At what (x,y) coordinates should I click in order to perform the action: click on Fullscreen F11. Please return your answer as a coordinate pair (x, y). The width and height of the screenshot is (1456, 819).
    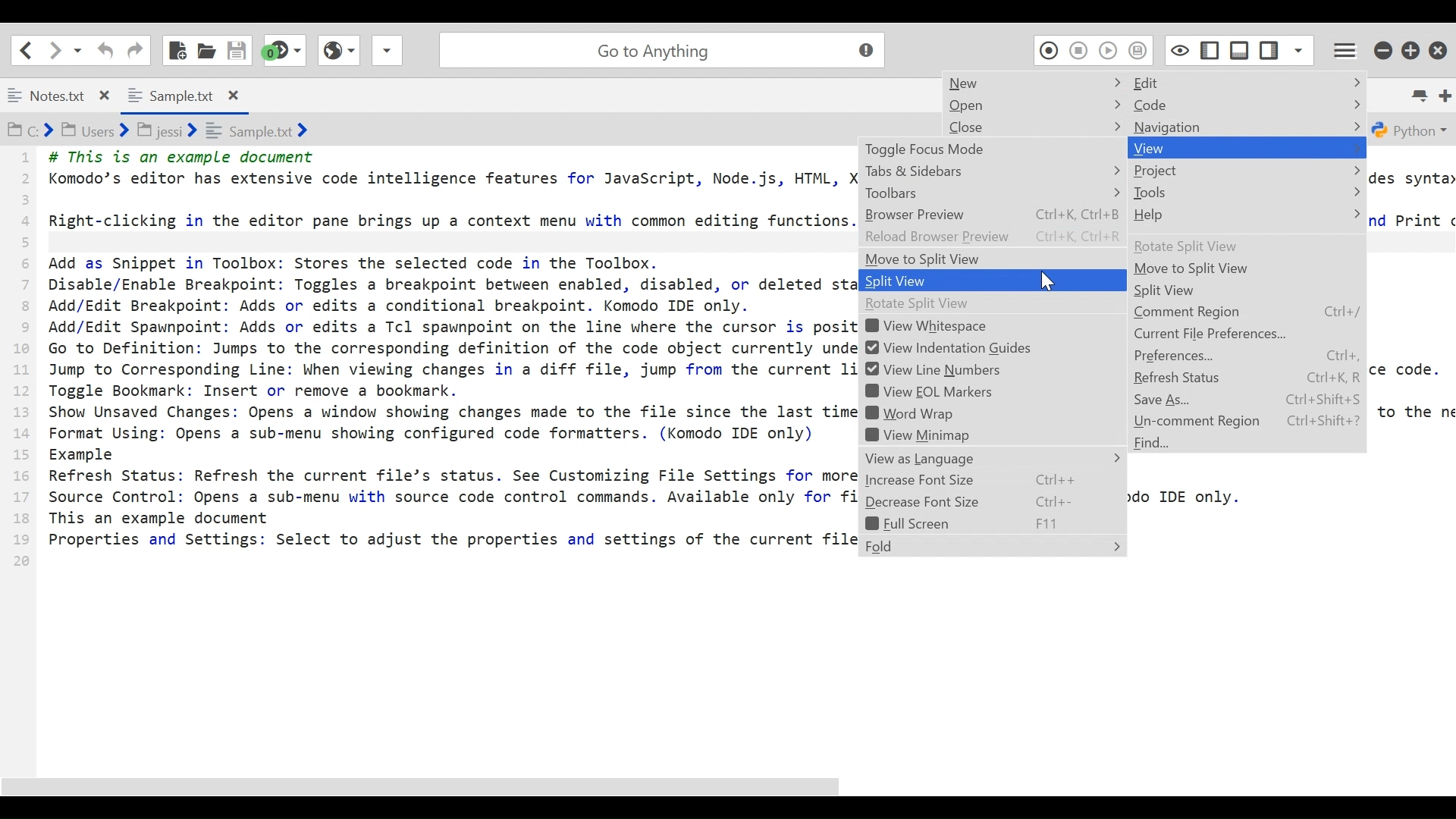
    Looking at the image, I should click on (990, 522).